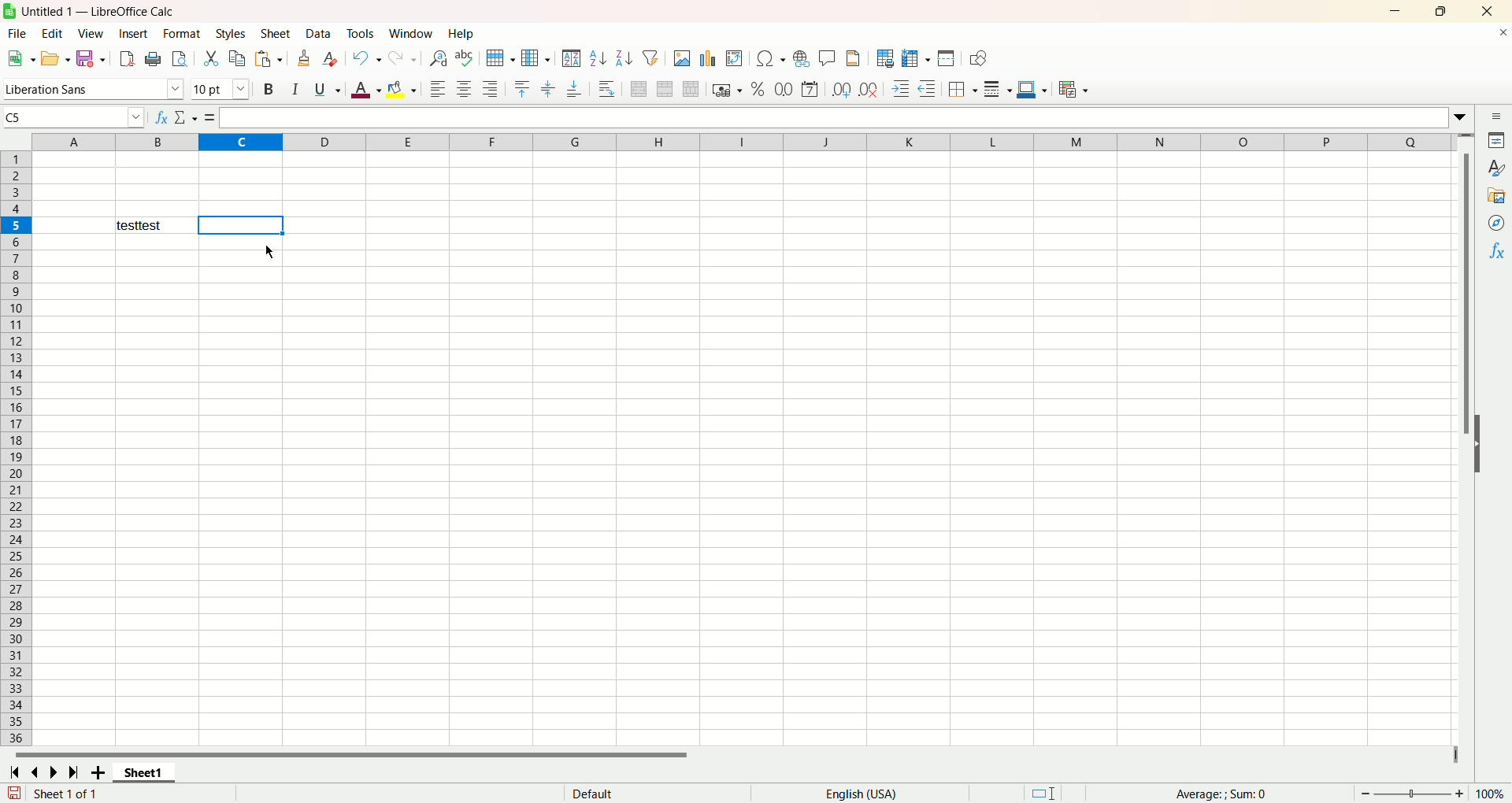 Image resolution: width=1512 pixels, height=803 pixels. Describe the element at coordinates (464, 58) in the screenshot. I see `spelling` at that location.